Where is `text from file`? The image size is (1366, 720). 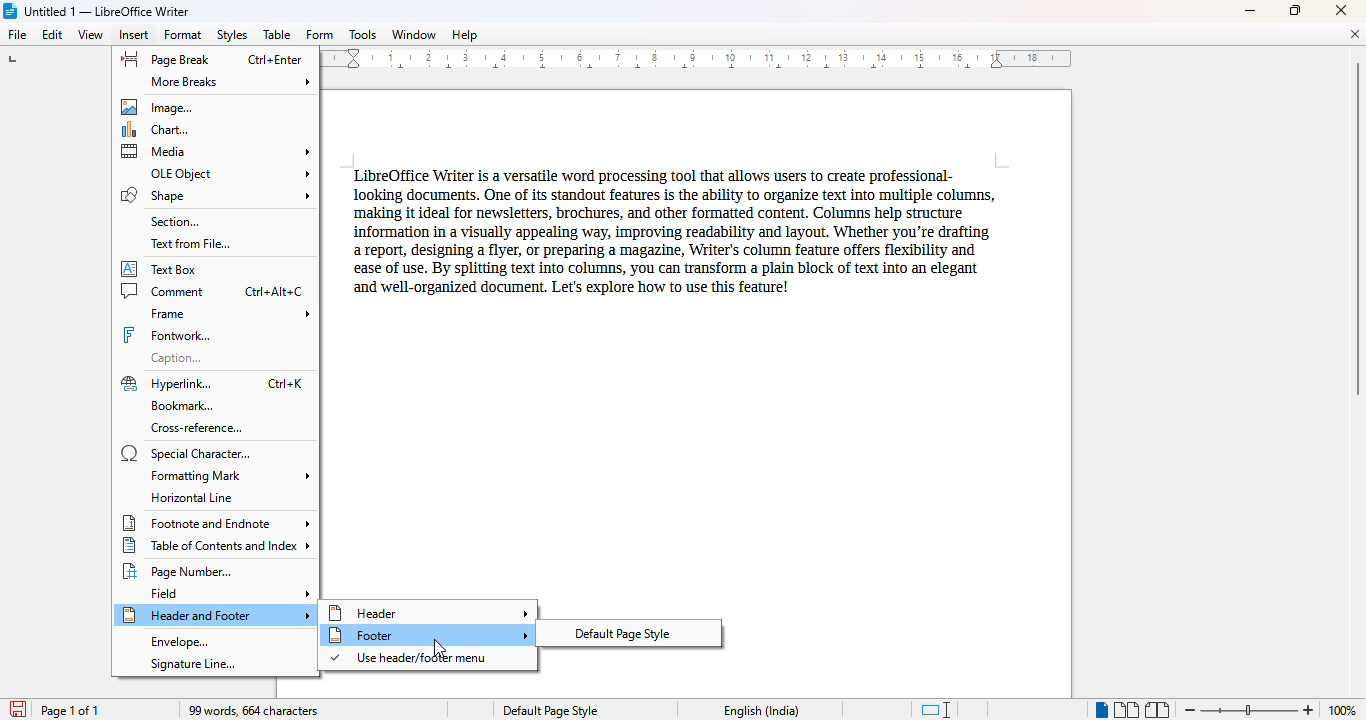
text from file is located at coordinates (190, 244).